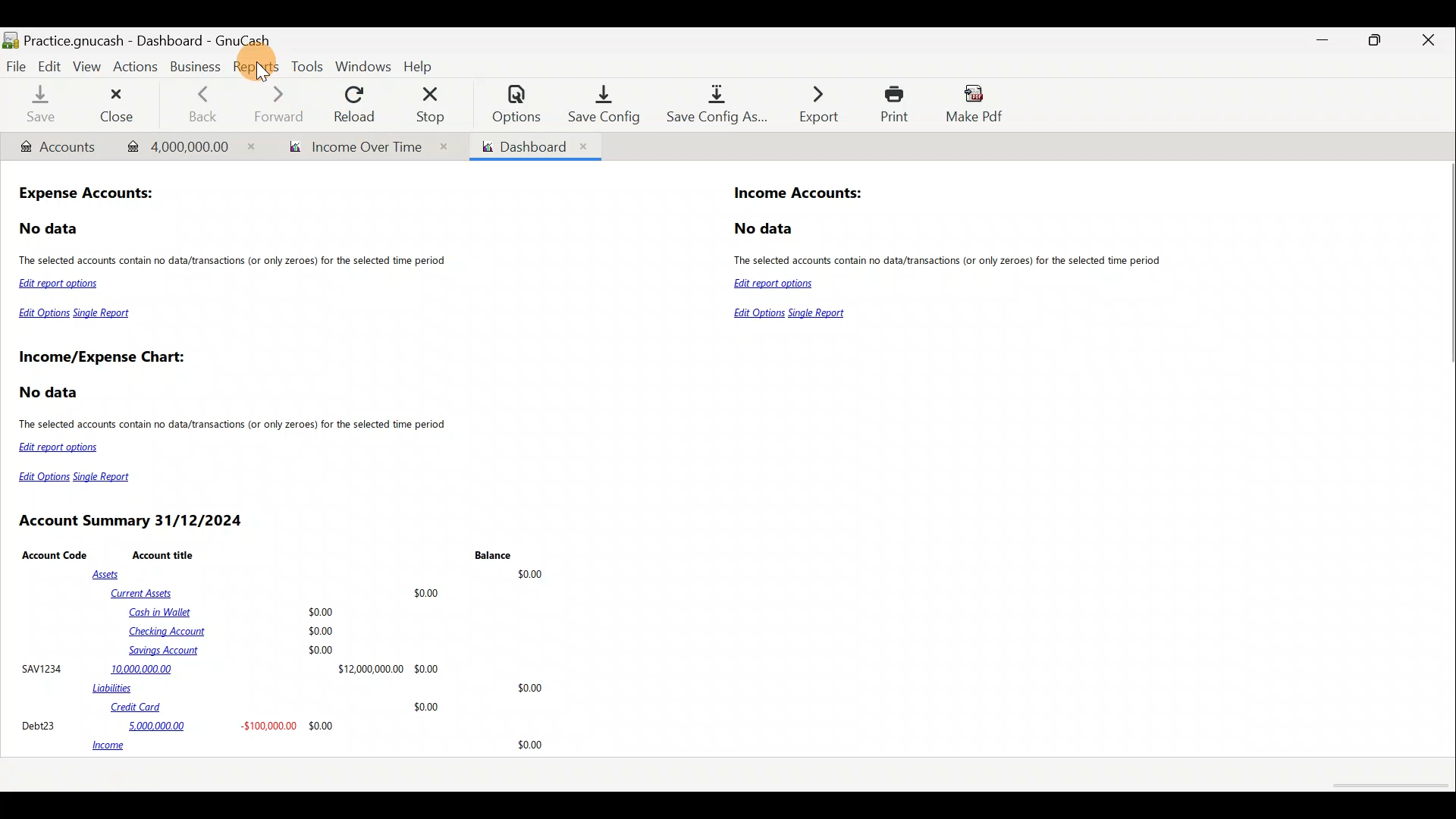  I want to click on Expense Accounts:, so click(88, 195).